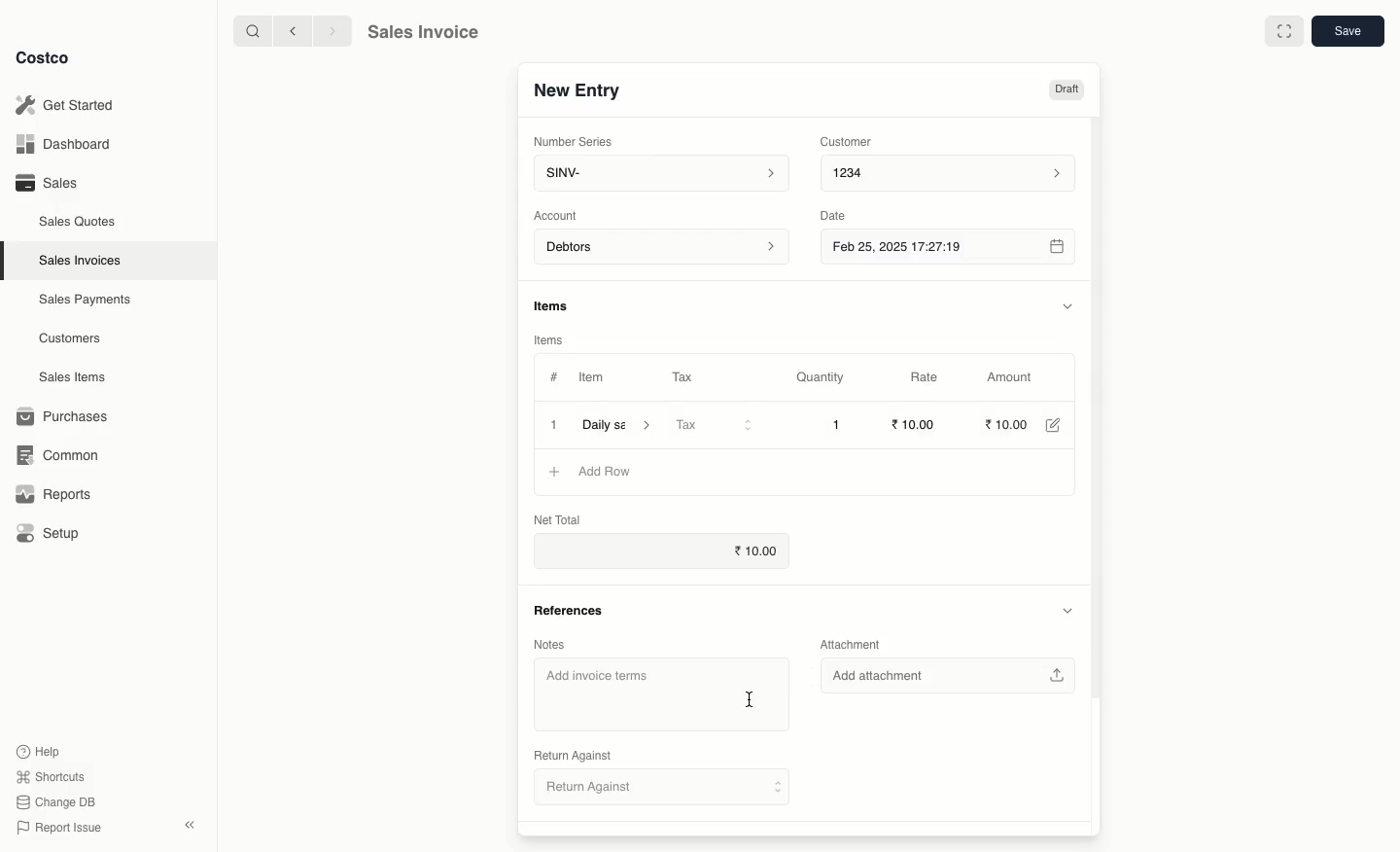 This screenshot has width=1400, height=852. Describe the element at coordinates (586, 89) in the screenshot. I see `SINV-1001` at that location.